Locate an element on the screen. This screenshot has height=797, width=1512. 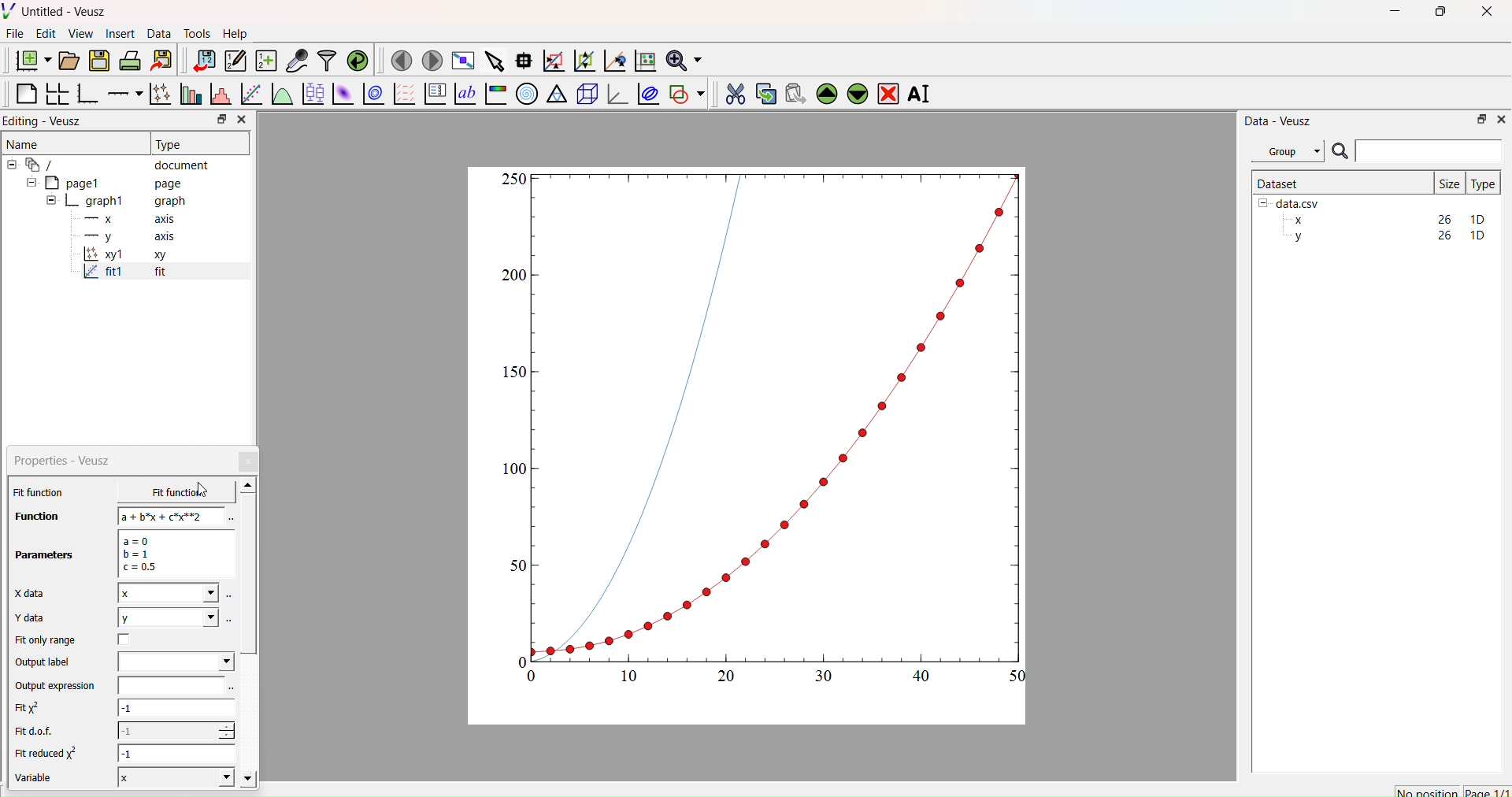
graph1 graph is located at coordinates (117, 202).